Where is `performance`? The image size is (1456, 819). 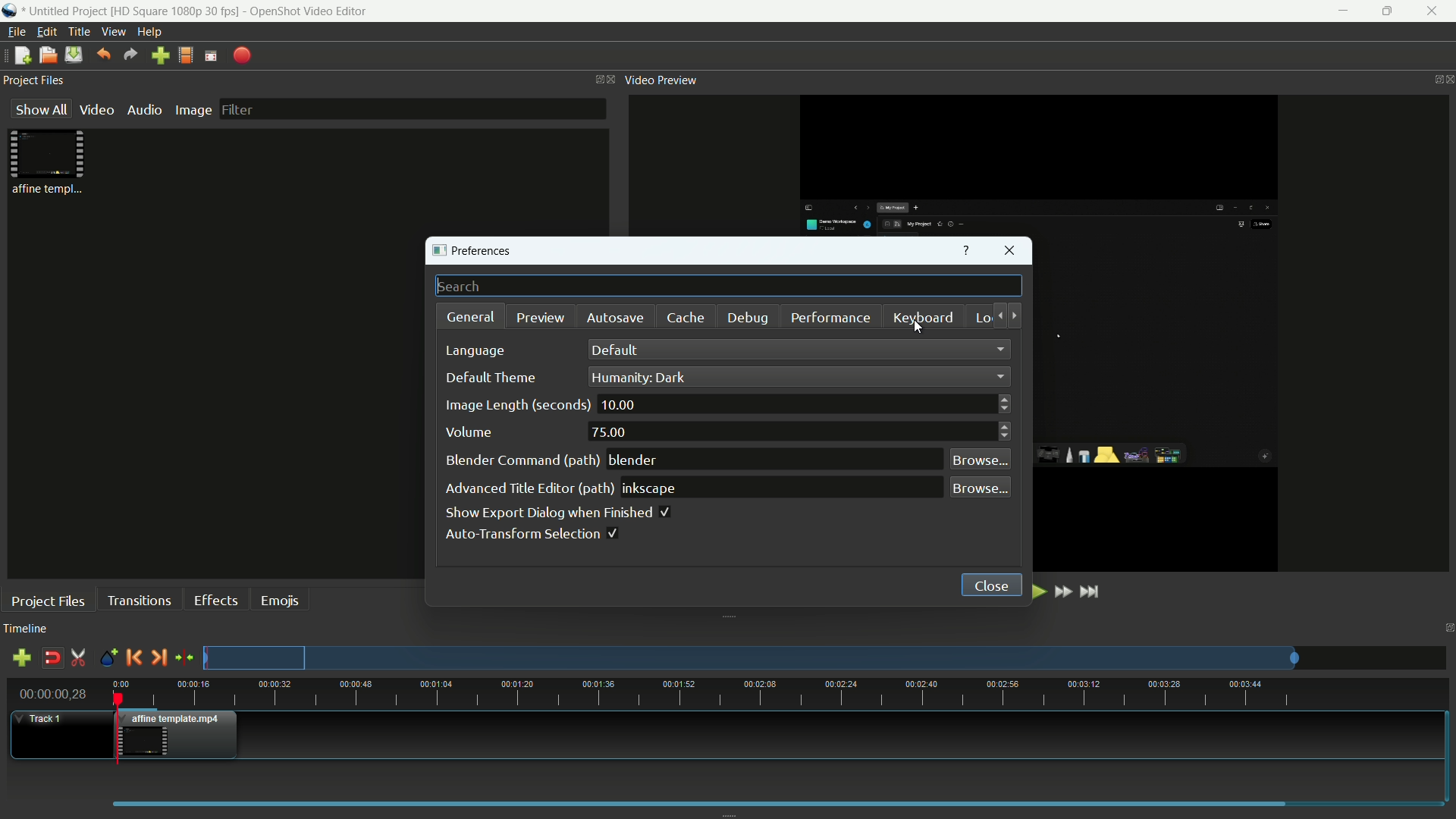 performance is located at coordinates (830, 317).